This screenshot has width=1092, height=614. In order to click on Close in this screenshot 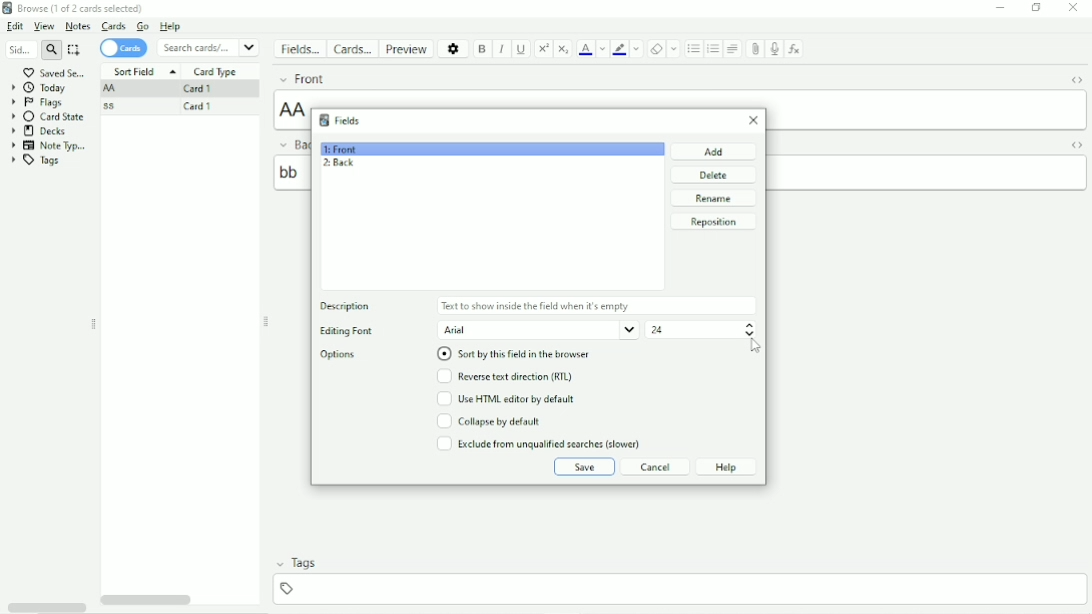, I will do `click(750, 122)`.